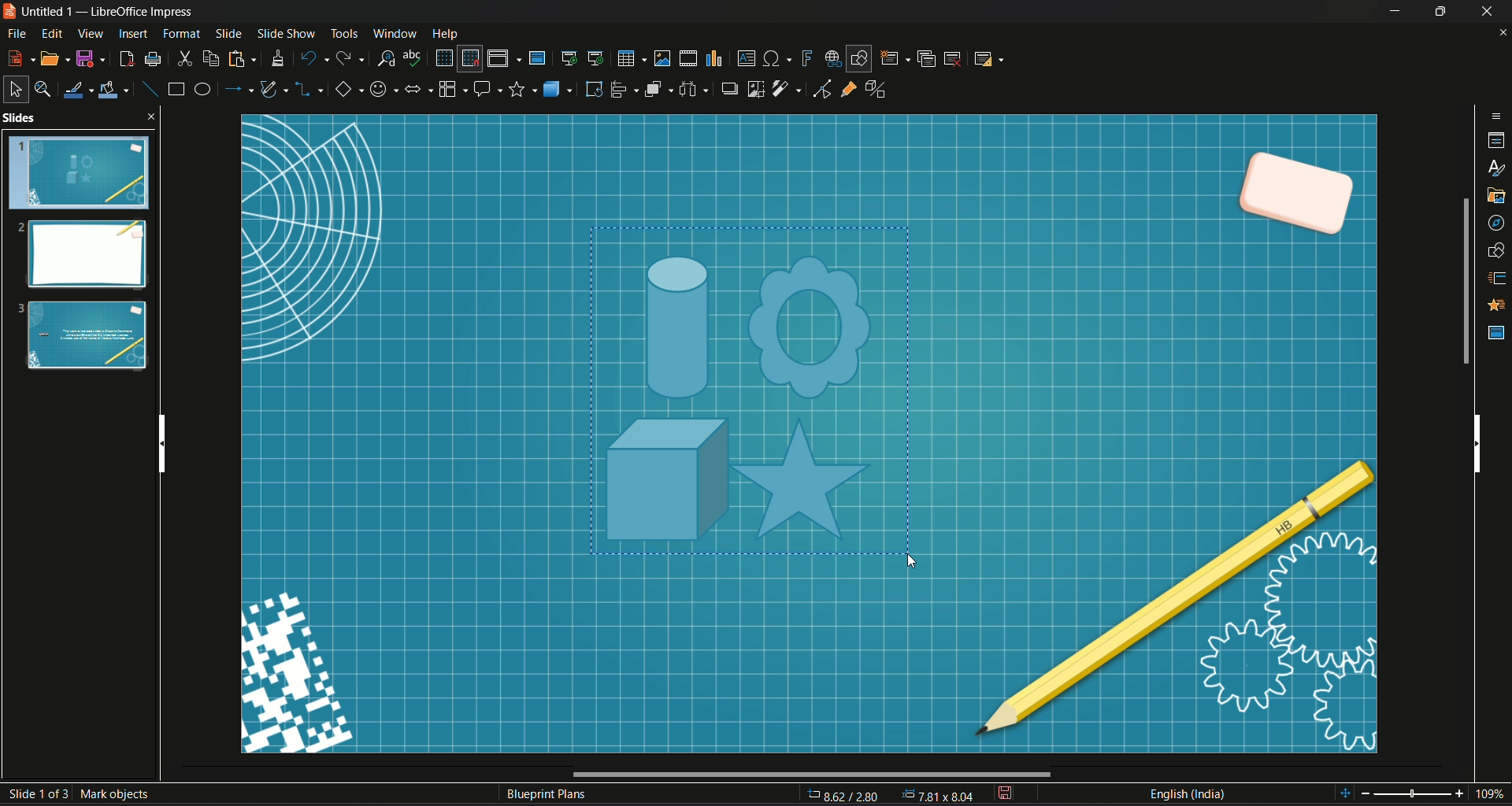  What do you see at coordinates (1497, 115) in the screenshot?
I see `sidebar options` at bounding box center [1497, 115].